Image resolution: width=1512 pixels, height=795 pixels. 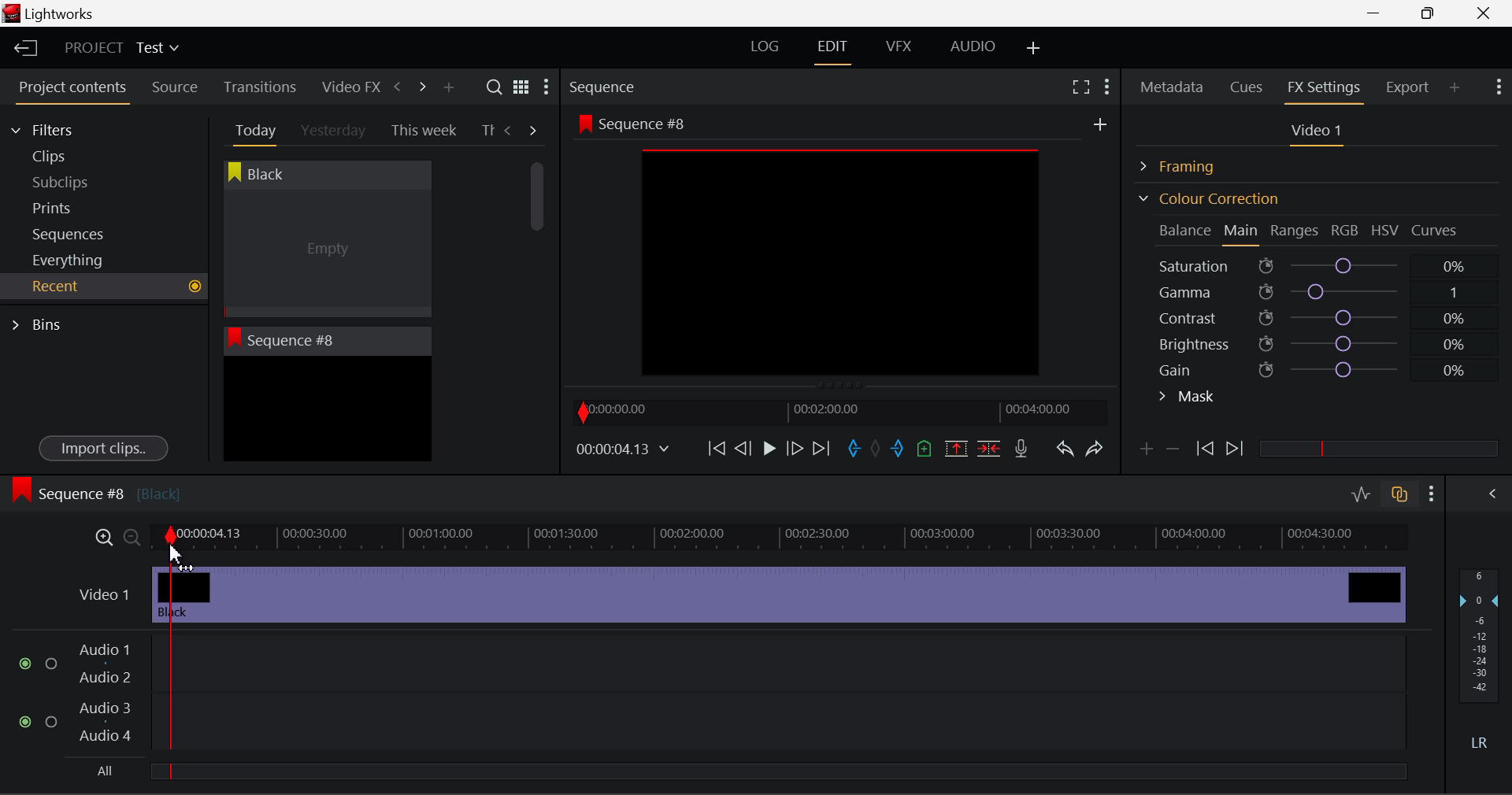 I want to click on Video 1 Settings, so click(x=1319, y=134).